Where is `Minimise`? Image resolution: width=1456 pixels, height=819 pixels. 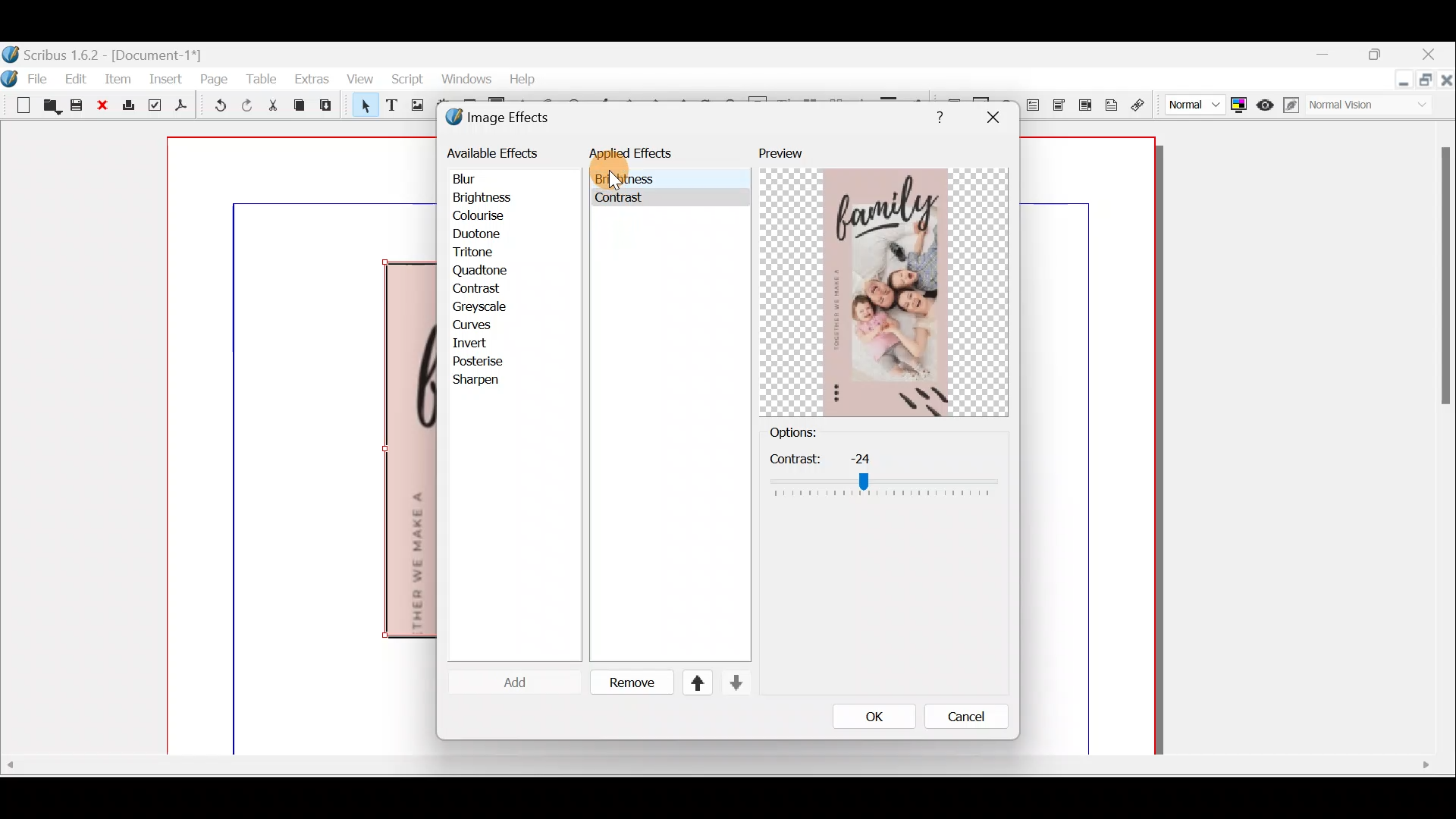 Minimise is located at coordinates (1402, 81).